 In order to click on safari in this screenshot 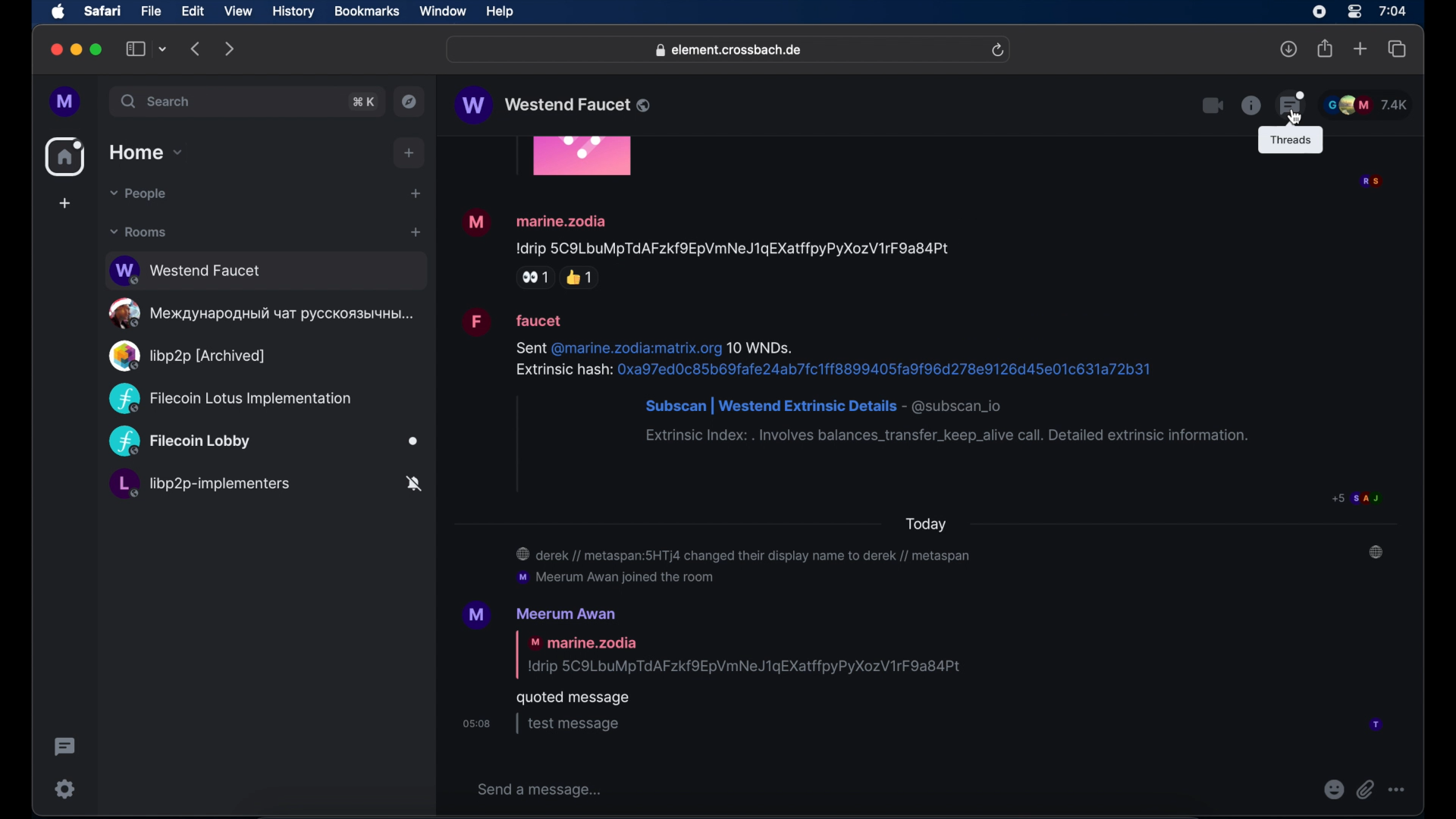, I will do `click(104, 12)`.